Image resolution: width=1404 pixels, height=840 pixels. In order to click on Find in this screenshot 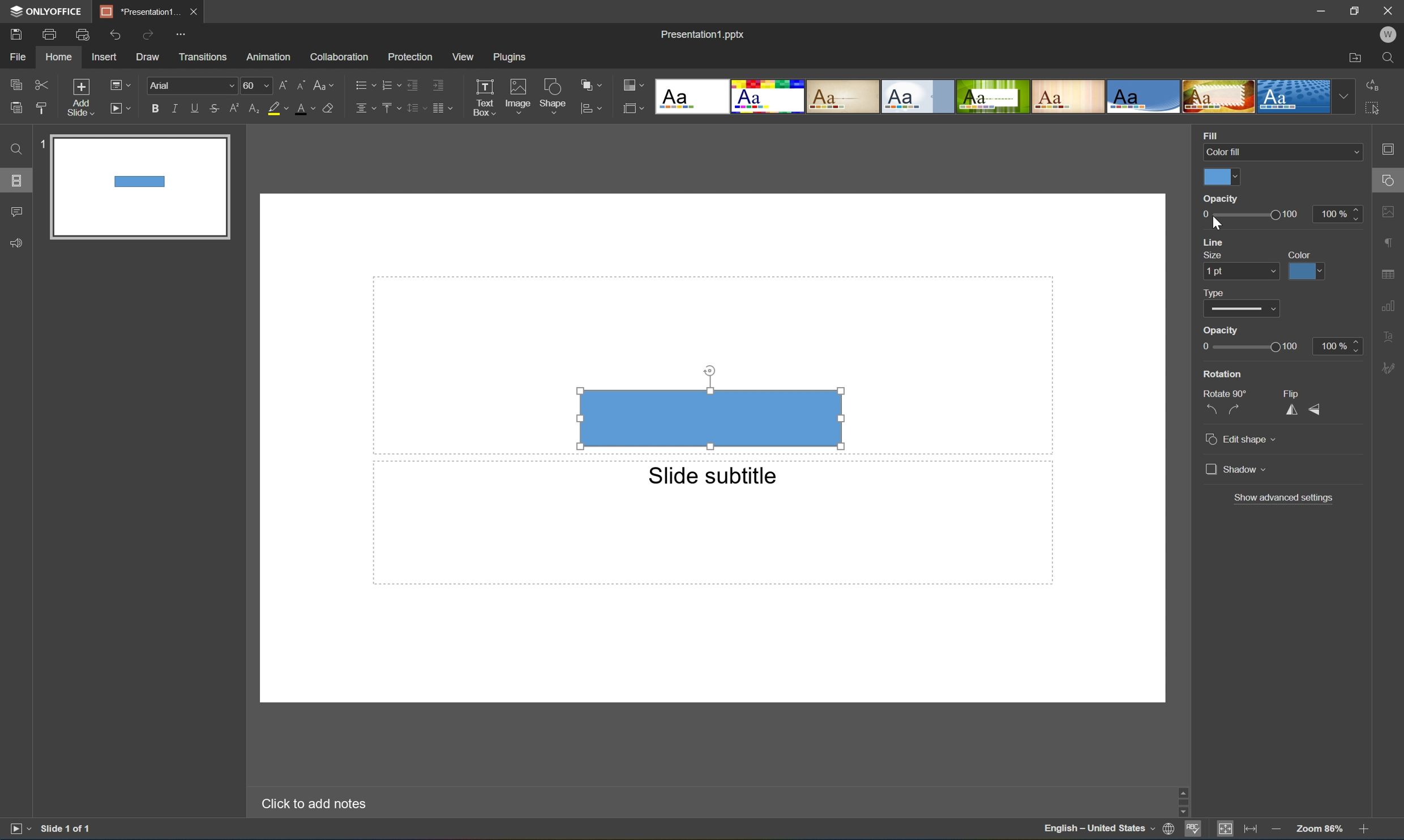, I will do `click(1388, 58)`.